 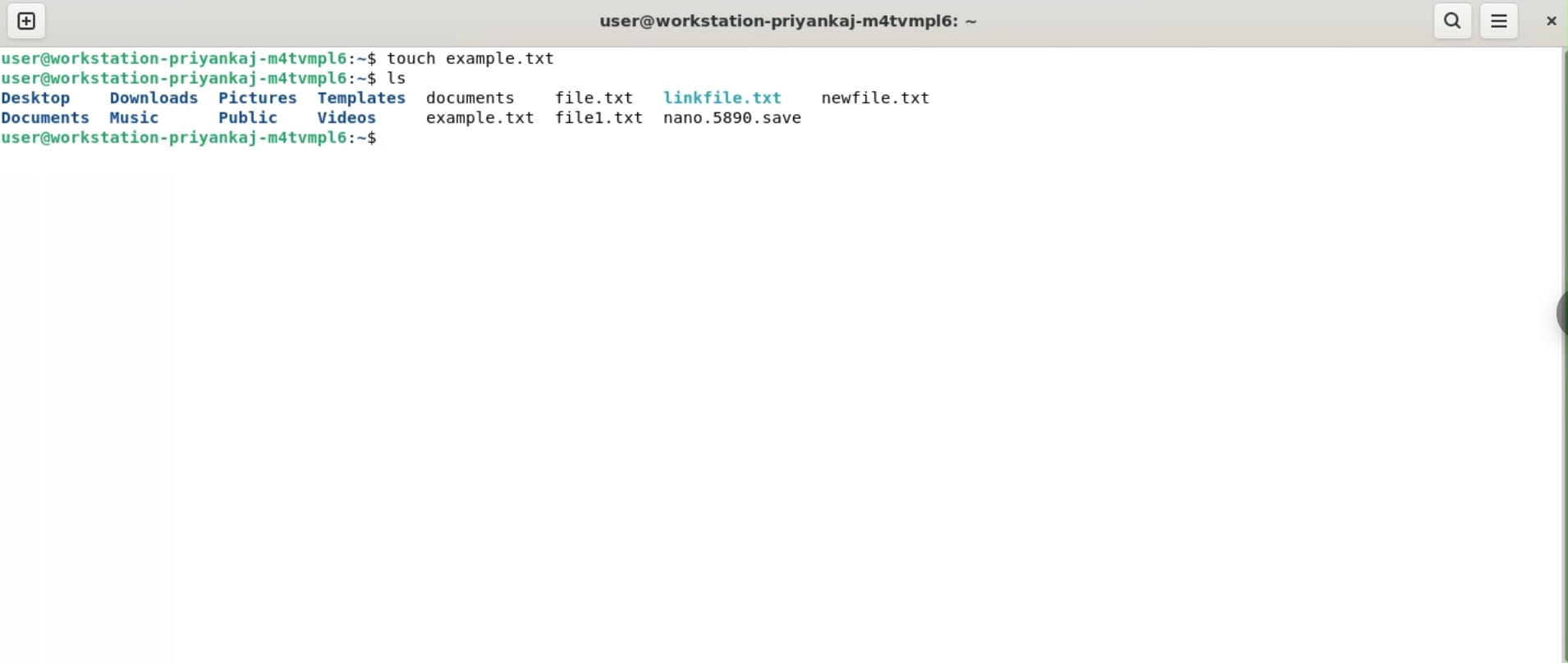 I want to click on file.txt, so click(x=595, y=98).